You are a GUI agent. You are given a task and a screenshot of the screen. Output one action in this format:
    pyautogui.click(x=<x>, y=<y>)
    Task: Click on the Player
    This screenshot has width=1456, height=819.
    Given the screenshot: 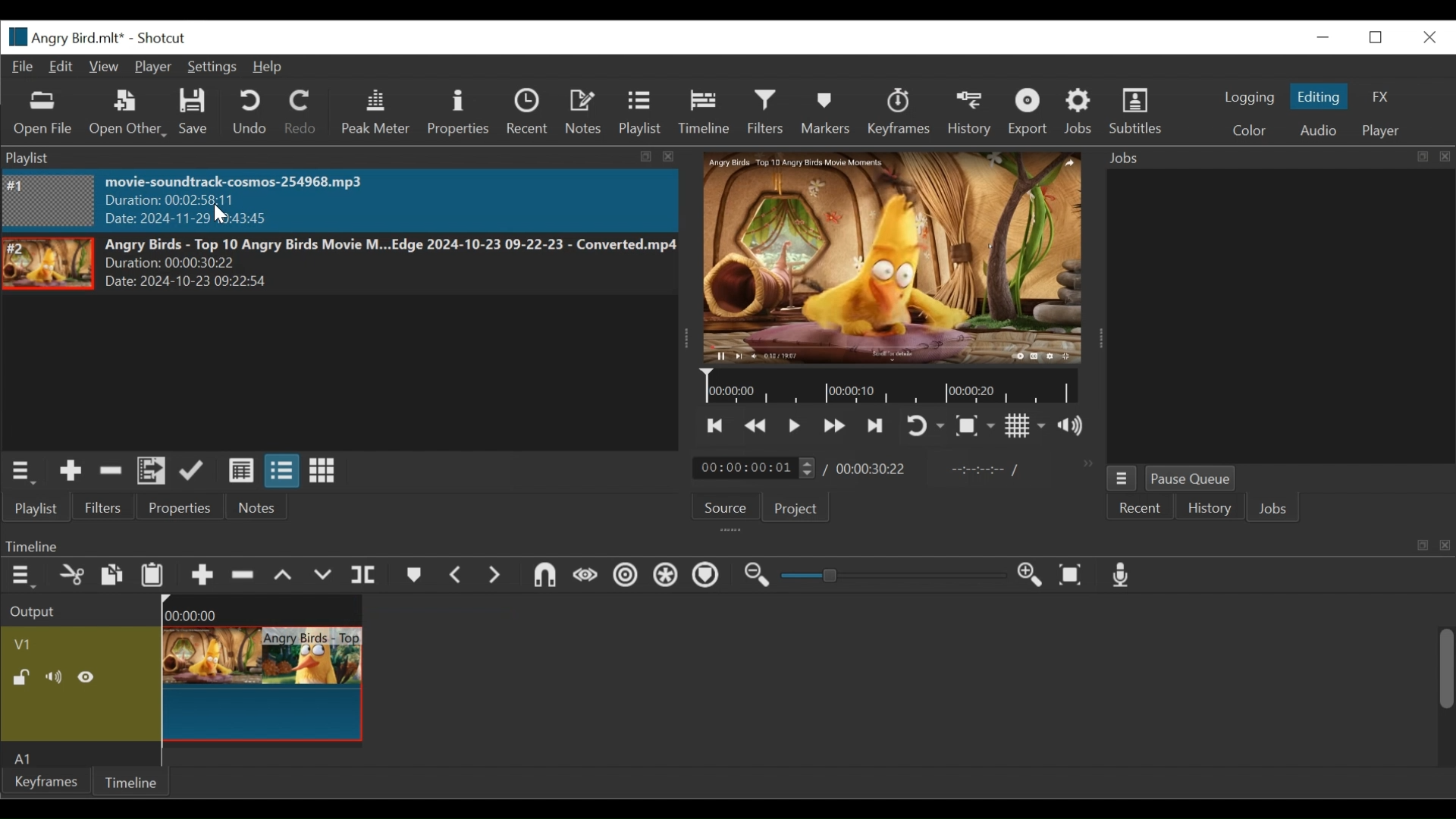 What is the action you would take?
    pyautogui.click(x=1382, y=132)
    